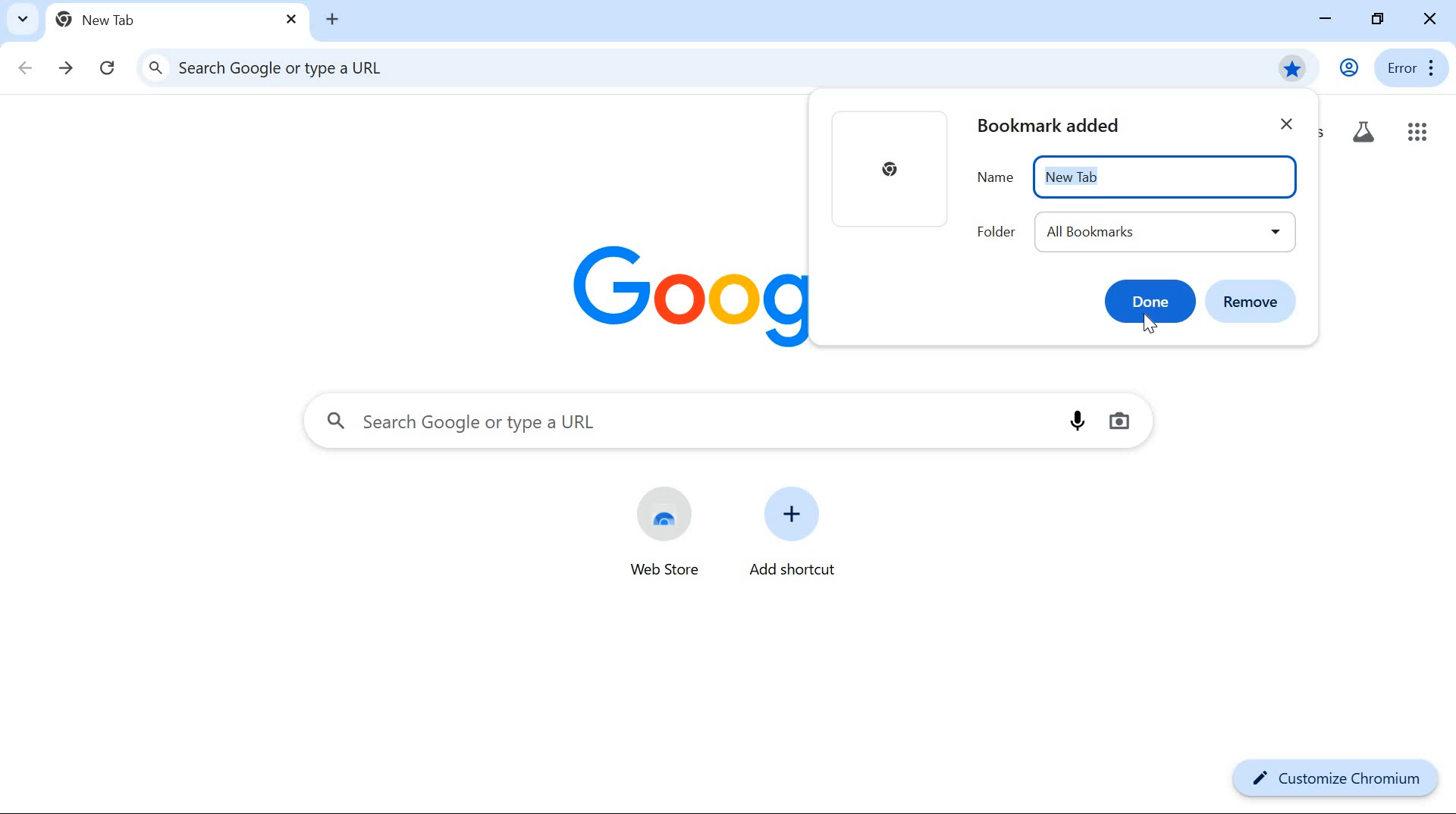 This screenshot has width=1456, height=814. I want to click on , so click(1362, 134).